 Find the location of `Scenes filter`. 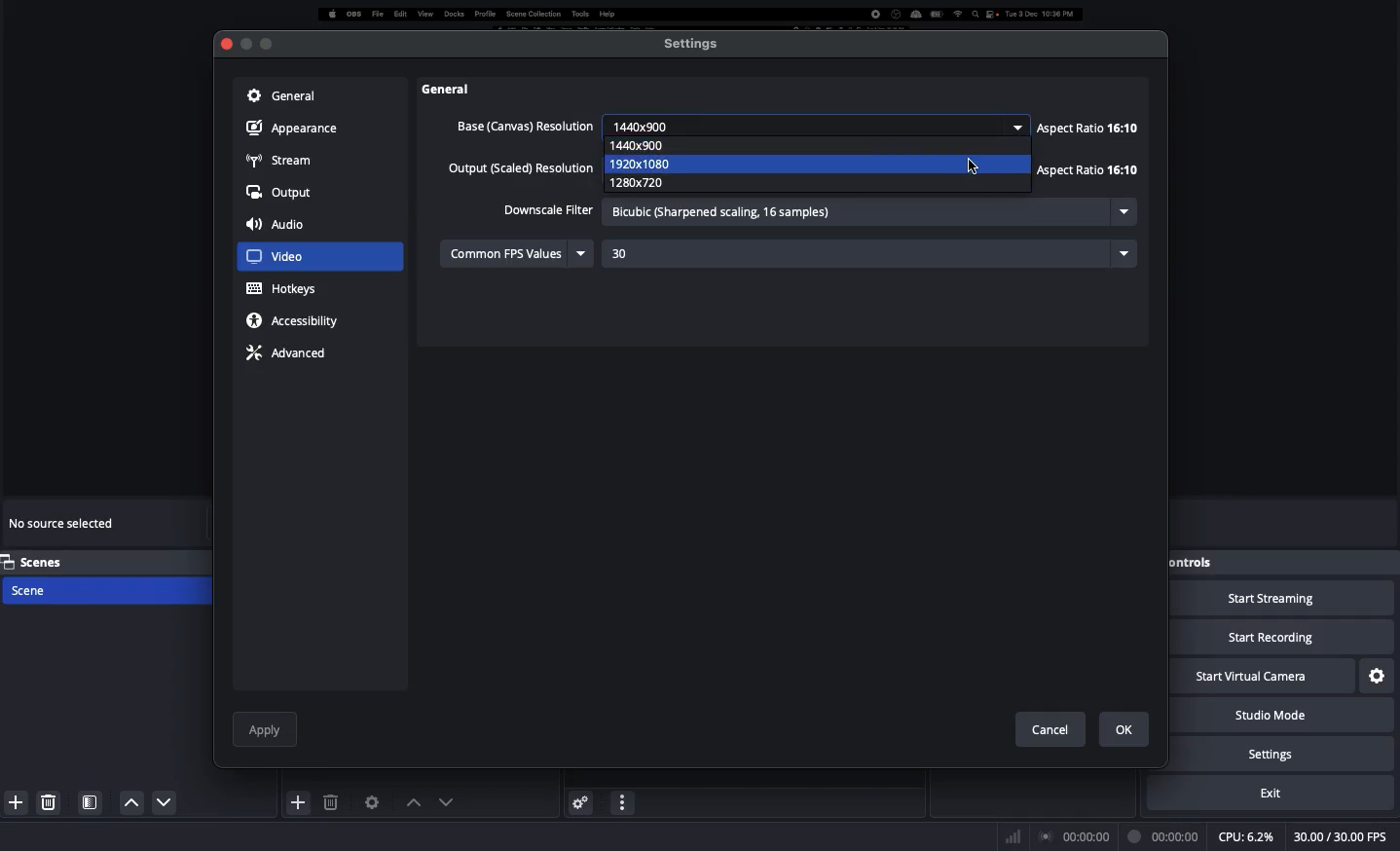

Scenes filter is located at coordinates (91, 802).